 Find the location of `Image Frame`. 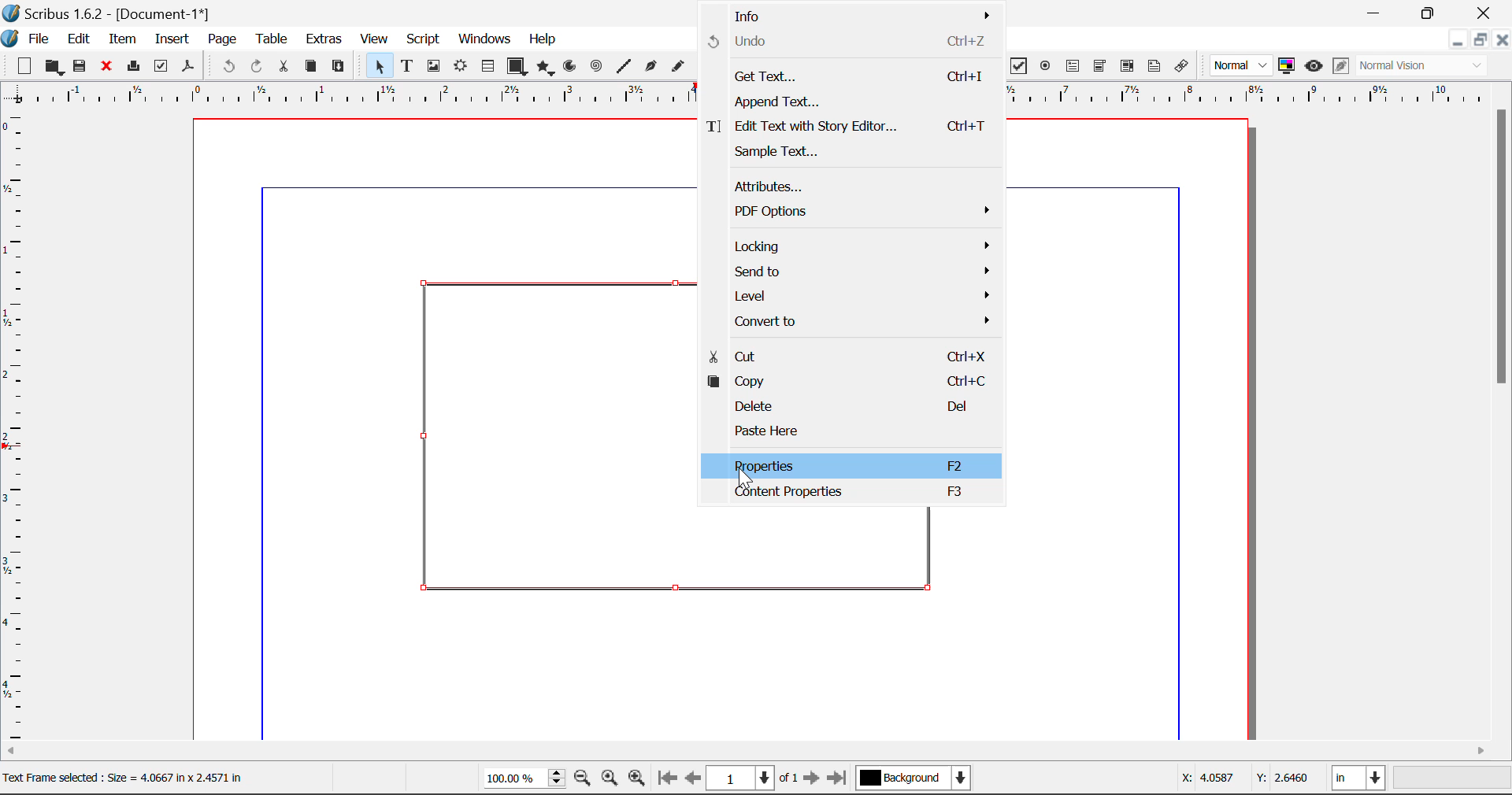

Image Frame is located at coordinates (433, 66).